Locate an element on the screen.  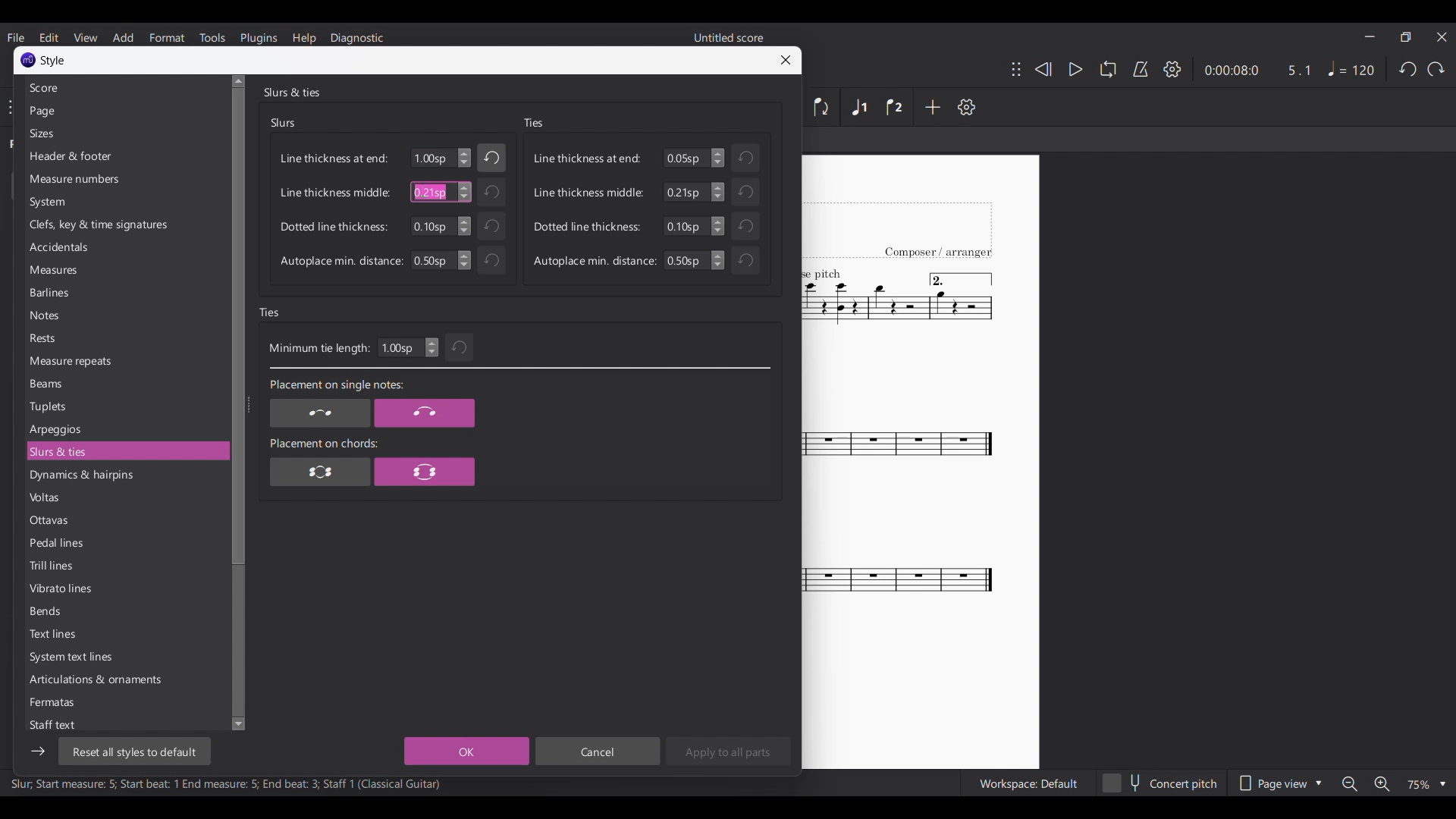
Undo is located at coordinates (745, 260).